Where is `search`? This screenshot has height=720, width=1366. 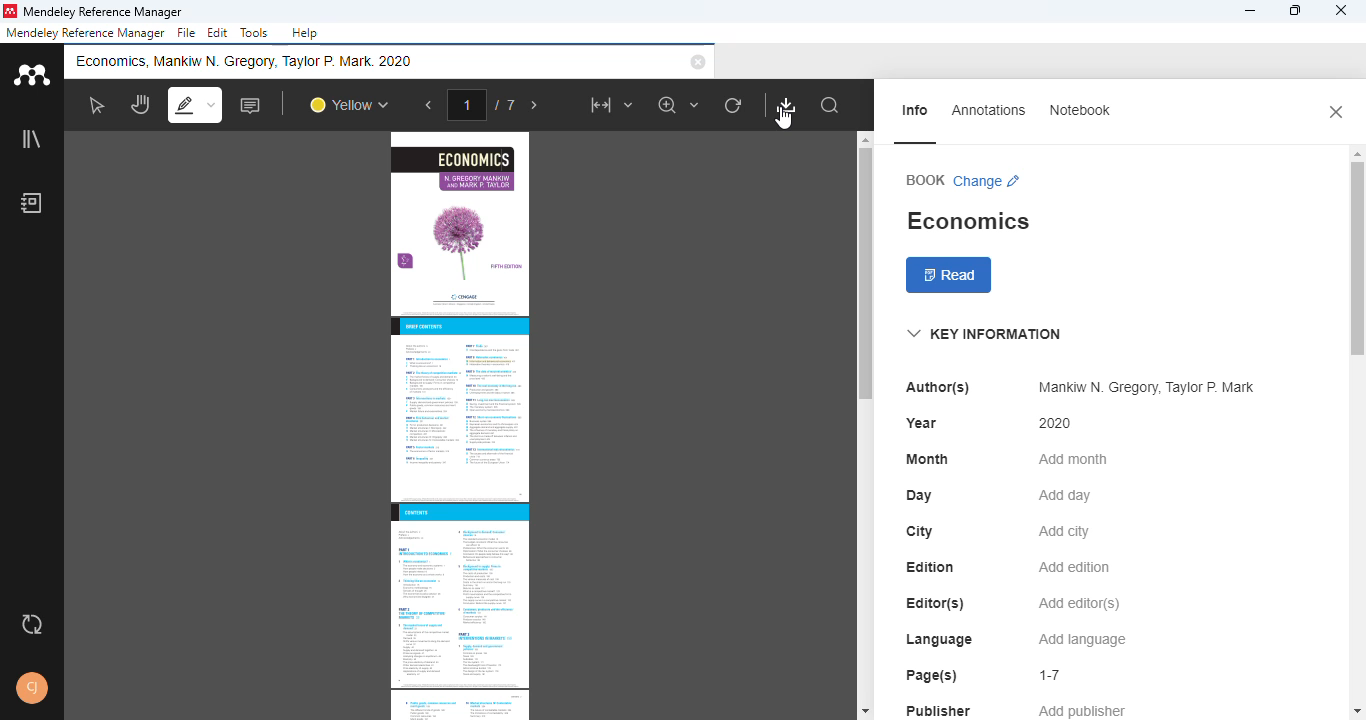
search is located at coordinates (831, 106).